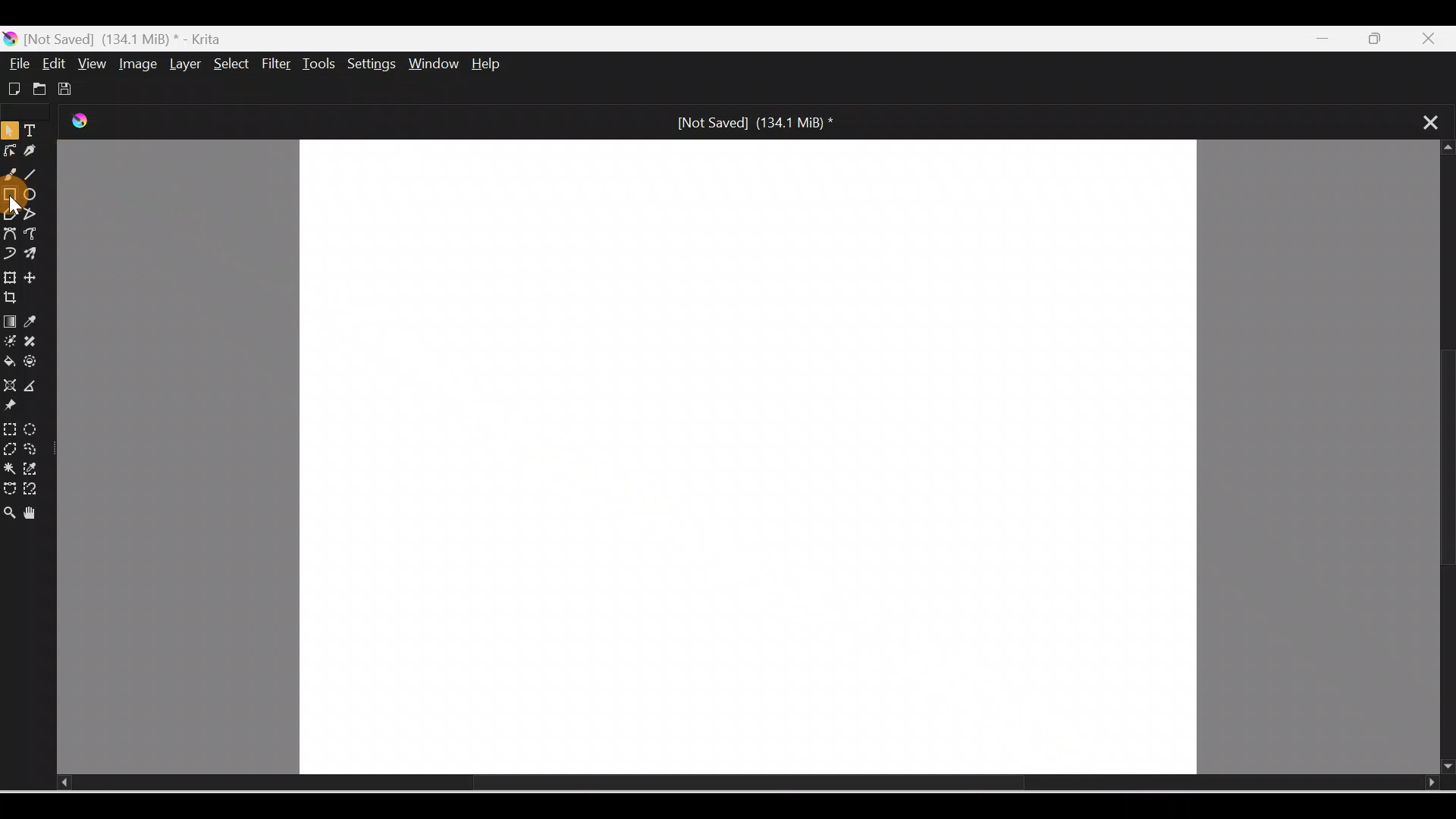 This screenshot has width=1456, height=819. Describe the element at coordinates (68, 86) in the screenshot. I see `Save` at that location.